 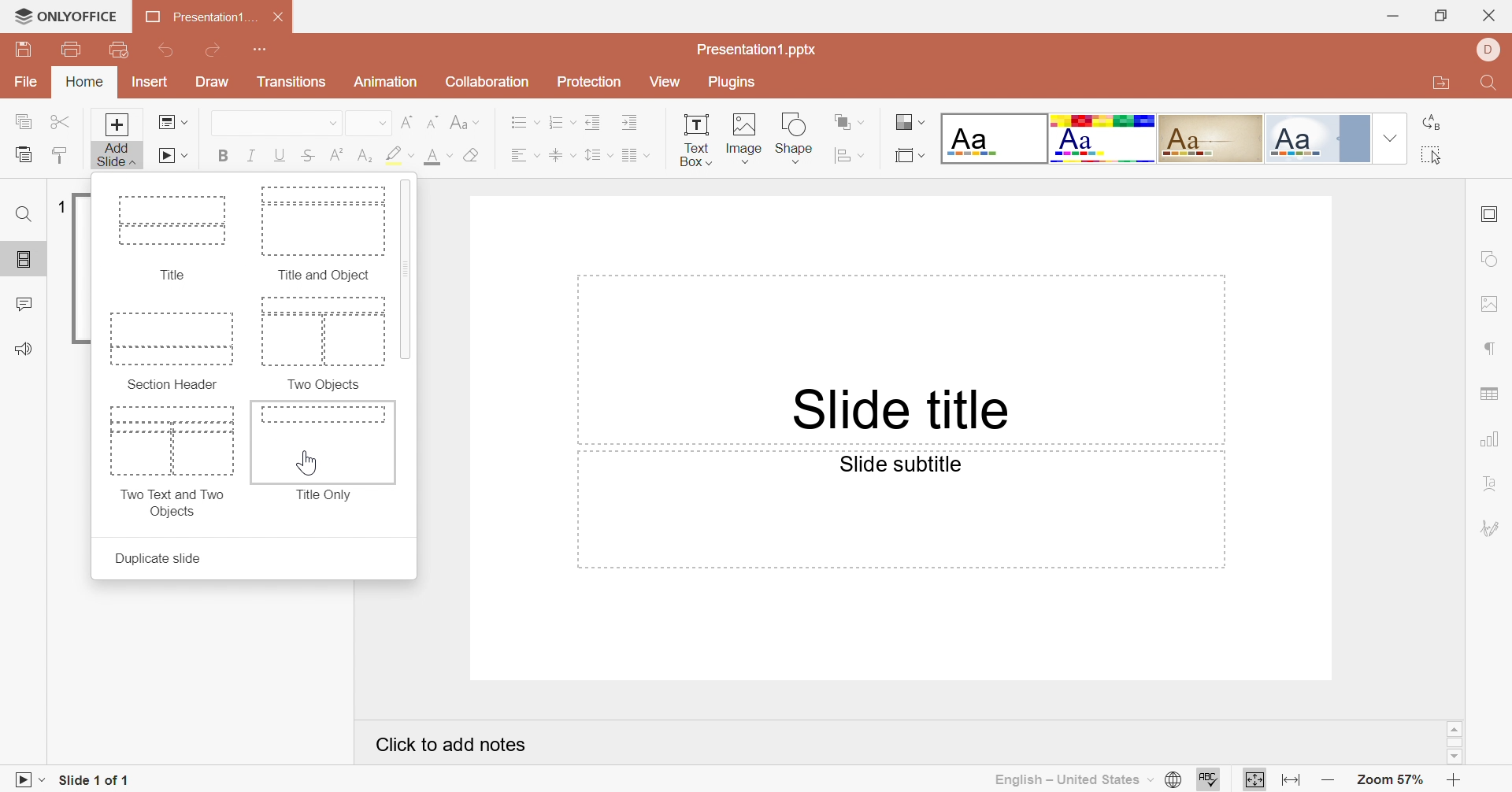 I want to click on Two objects, so click(x=324, y=343).